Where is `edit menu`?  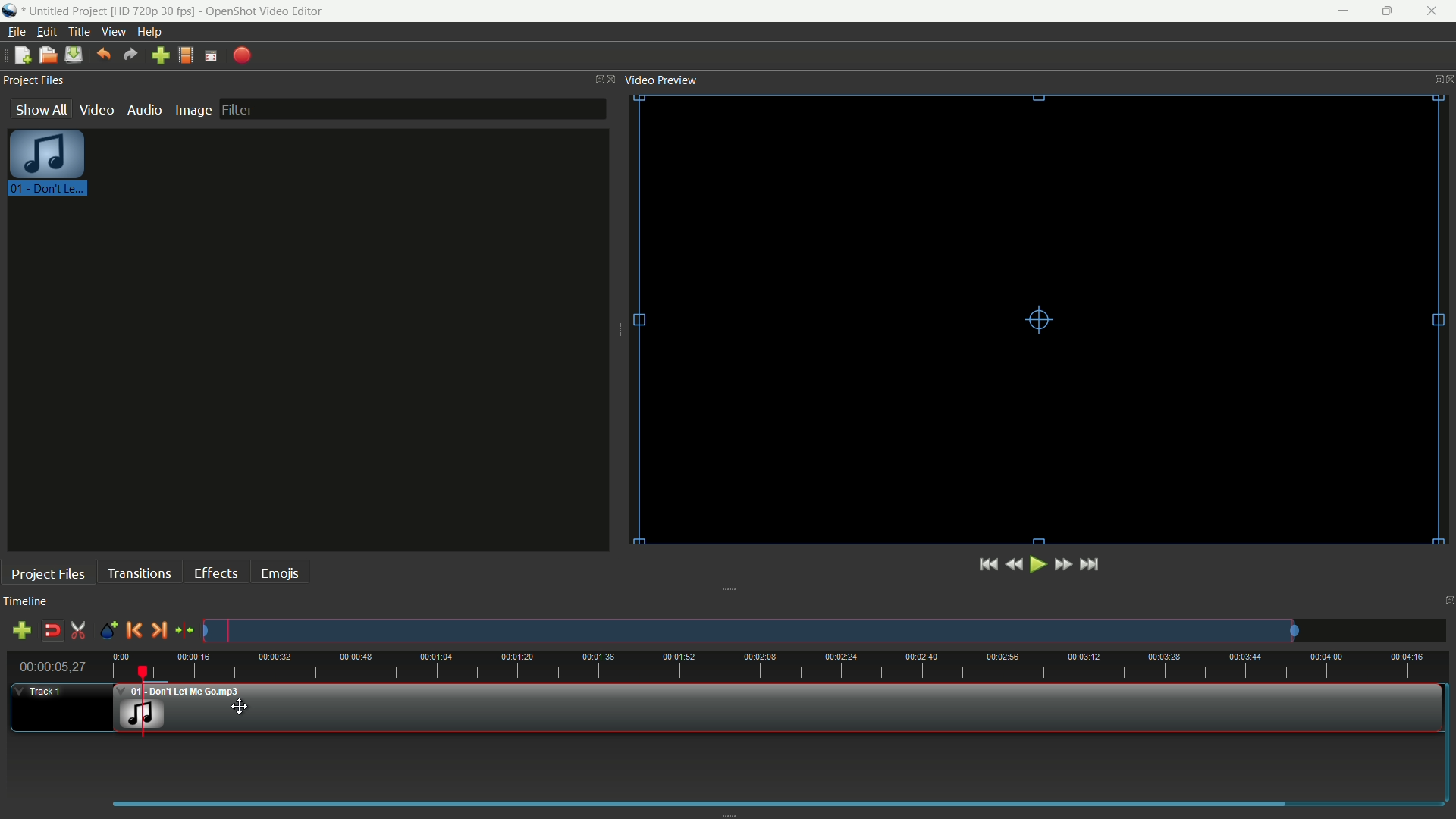 edit menu is located at coordinates (46, 31).